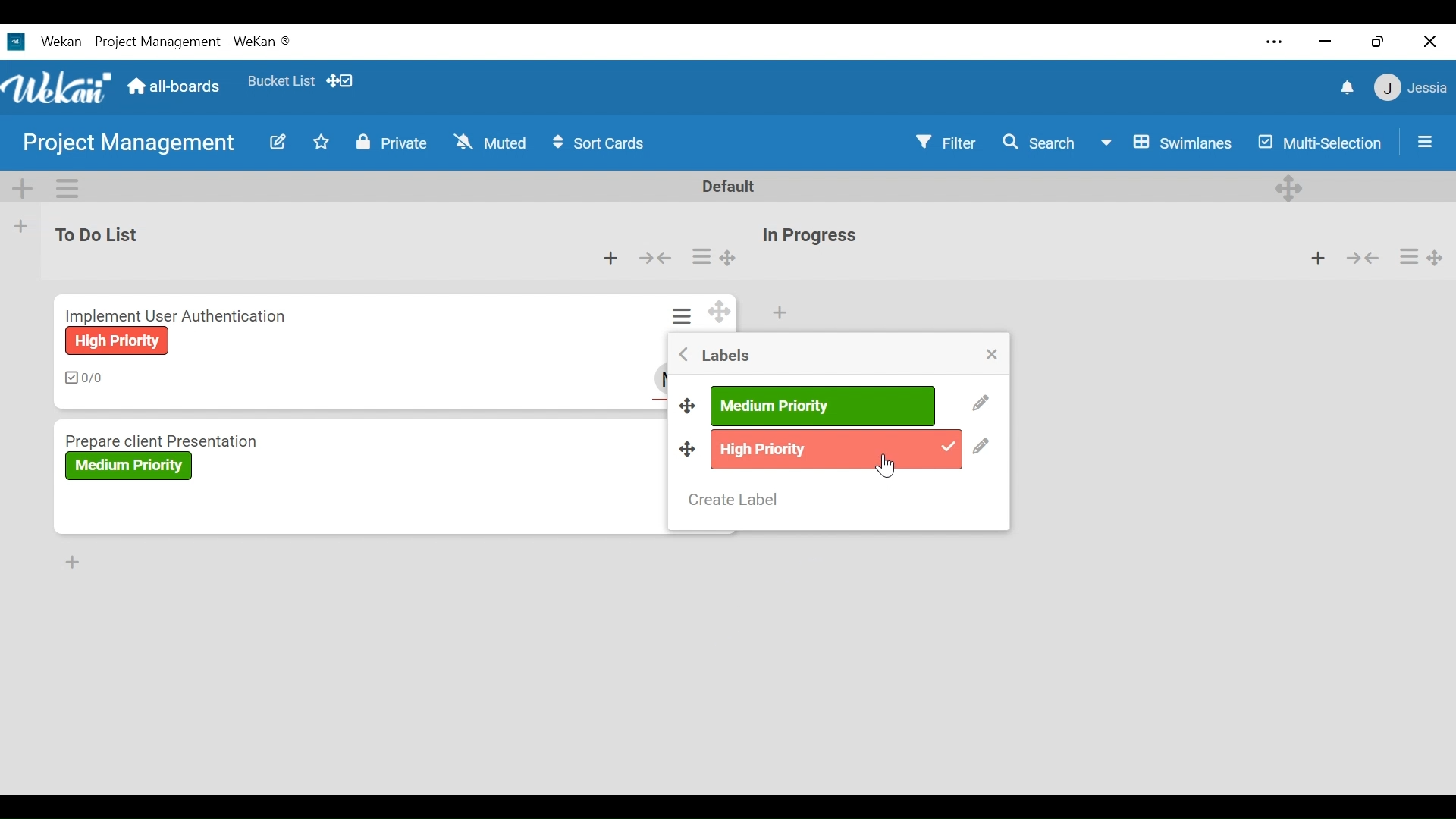 Image resolution: width=1456 pixels, height=819 pixels. What do you see at coordinates (990, 355) in the screenshot?
I see `Close` at bounding box center [990, 355].